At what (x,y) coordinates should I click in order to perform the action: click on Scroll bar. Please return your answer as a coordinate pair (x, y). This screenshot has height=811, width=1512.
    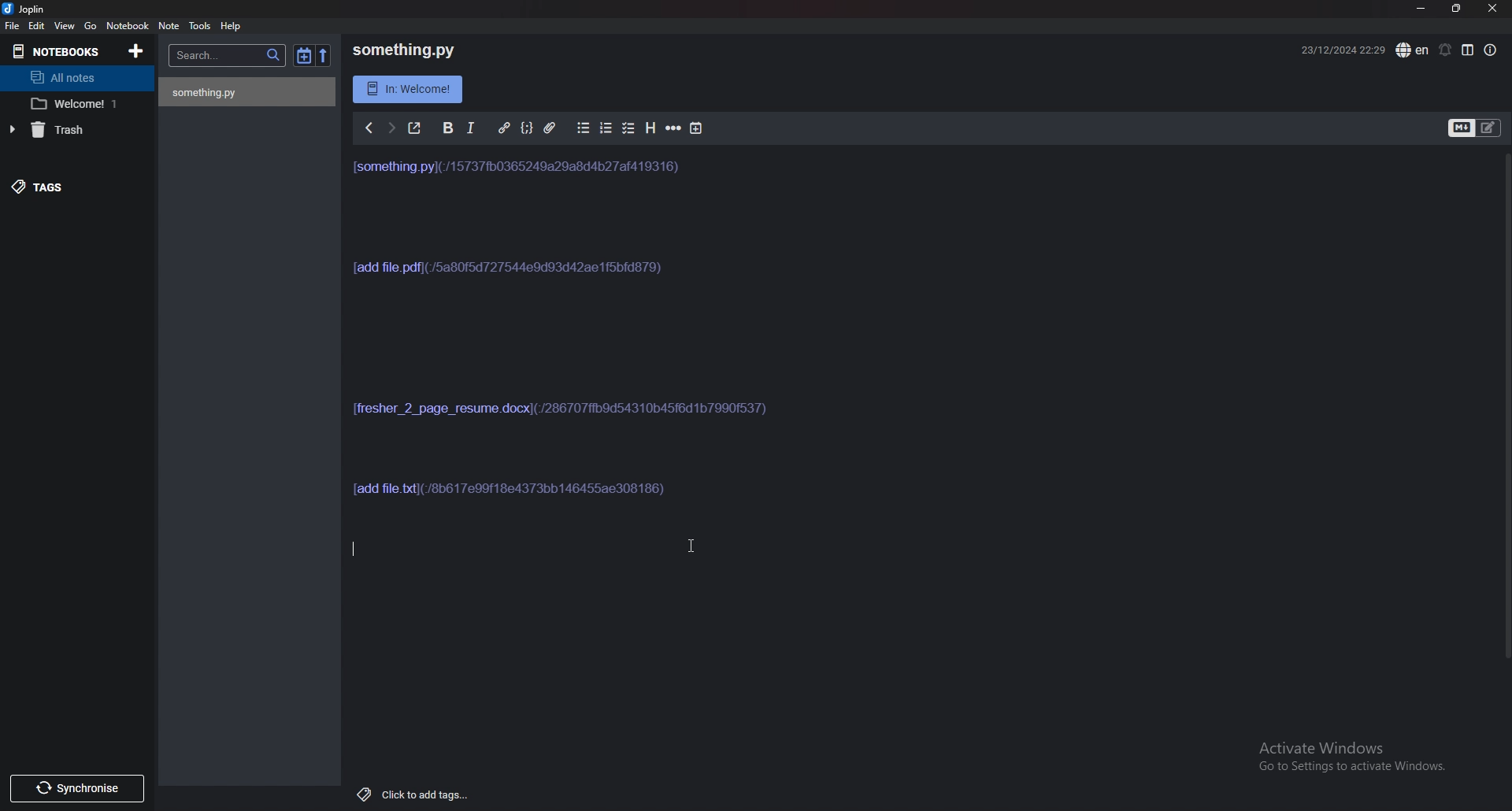
    Looking at the image, I should click on (1505, 405).